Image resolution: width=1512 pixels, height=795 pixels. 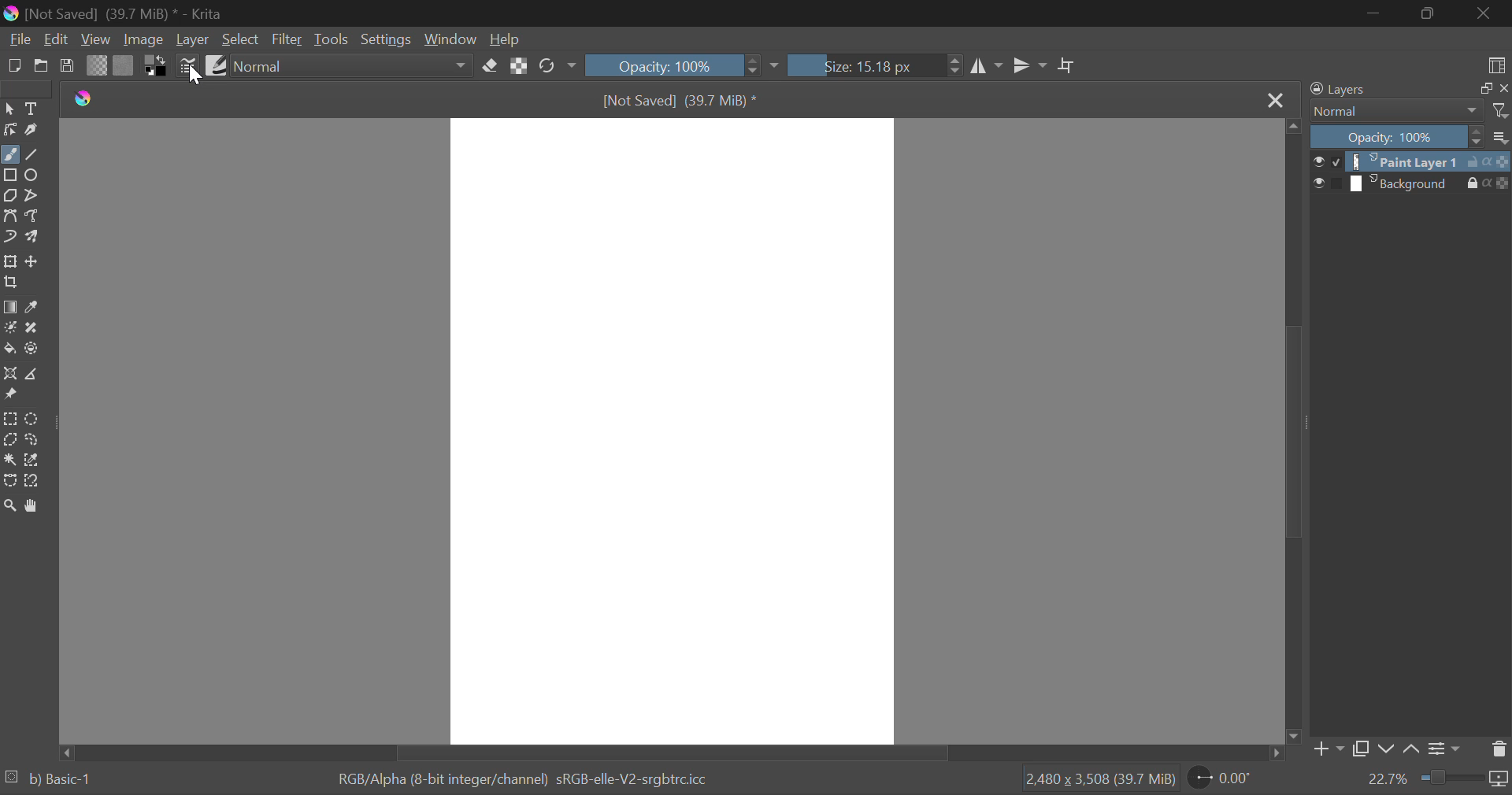 What do you see at coordinates (9, 482) in the screenshot?
I see `Bezier Curve` at bounding box center [9, 482].